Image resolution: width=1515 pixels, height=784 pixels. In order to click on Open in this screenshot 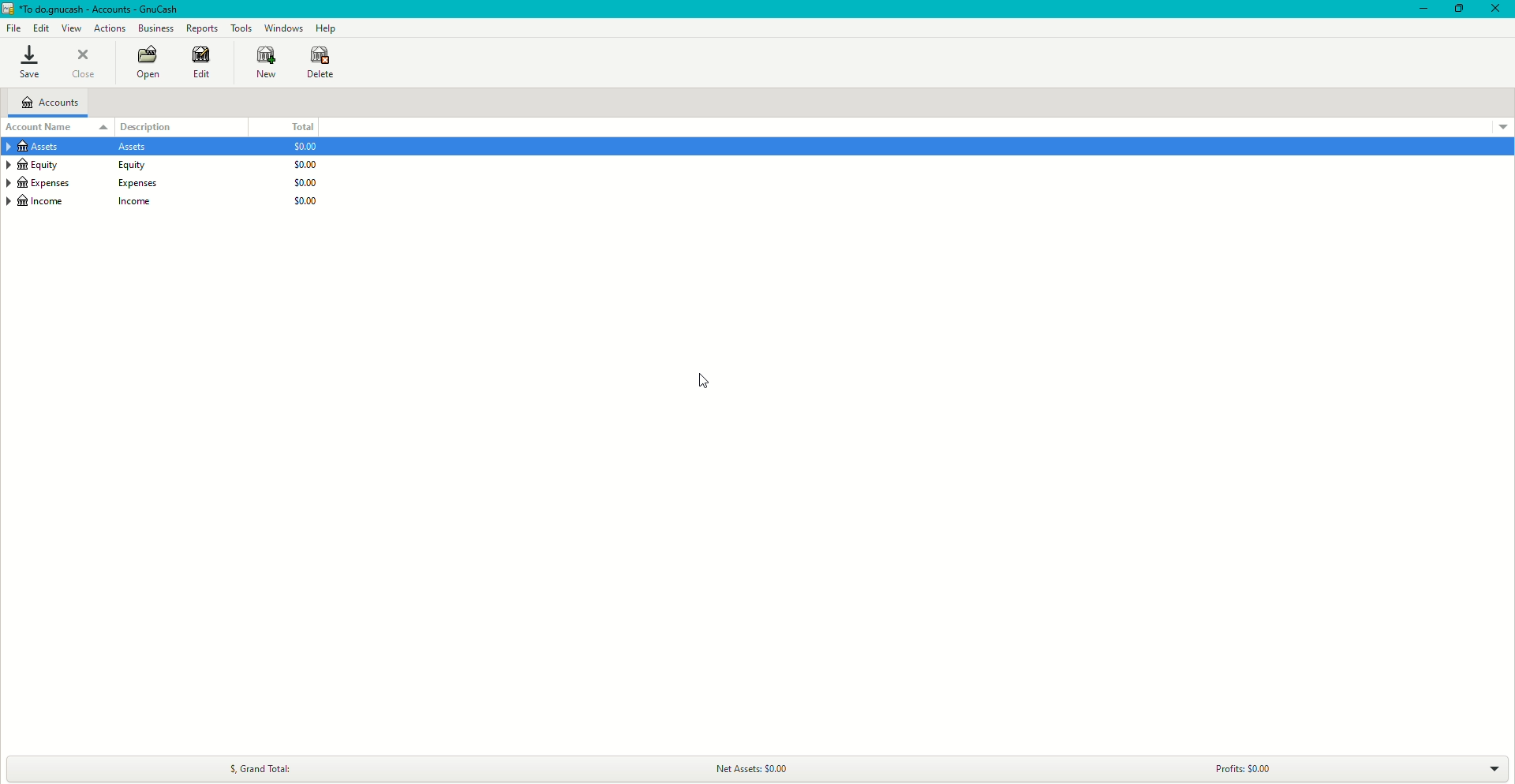, I will do `click(146, 64)`.